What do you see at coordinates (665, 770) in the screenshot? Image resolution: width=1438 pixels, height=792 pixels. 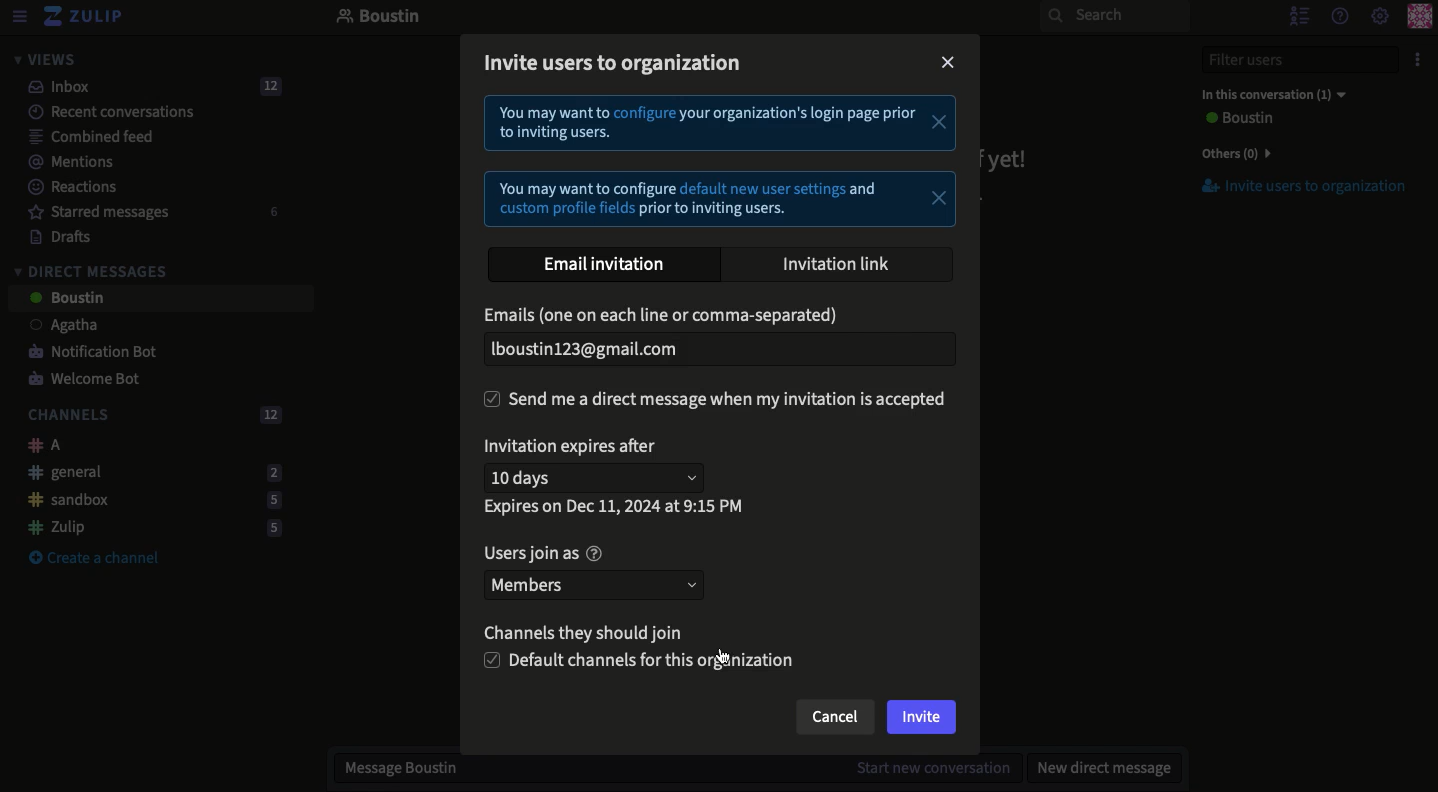 I see `Message User` at bounding box center [665, 770].